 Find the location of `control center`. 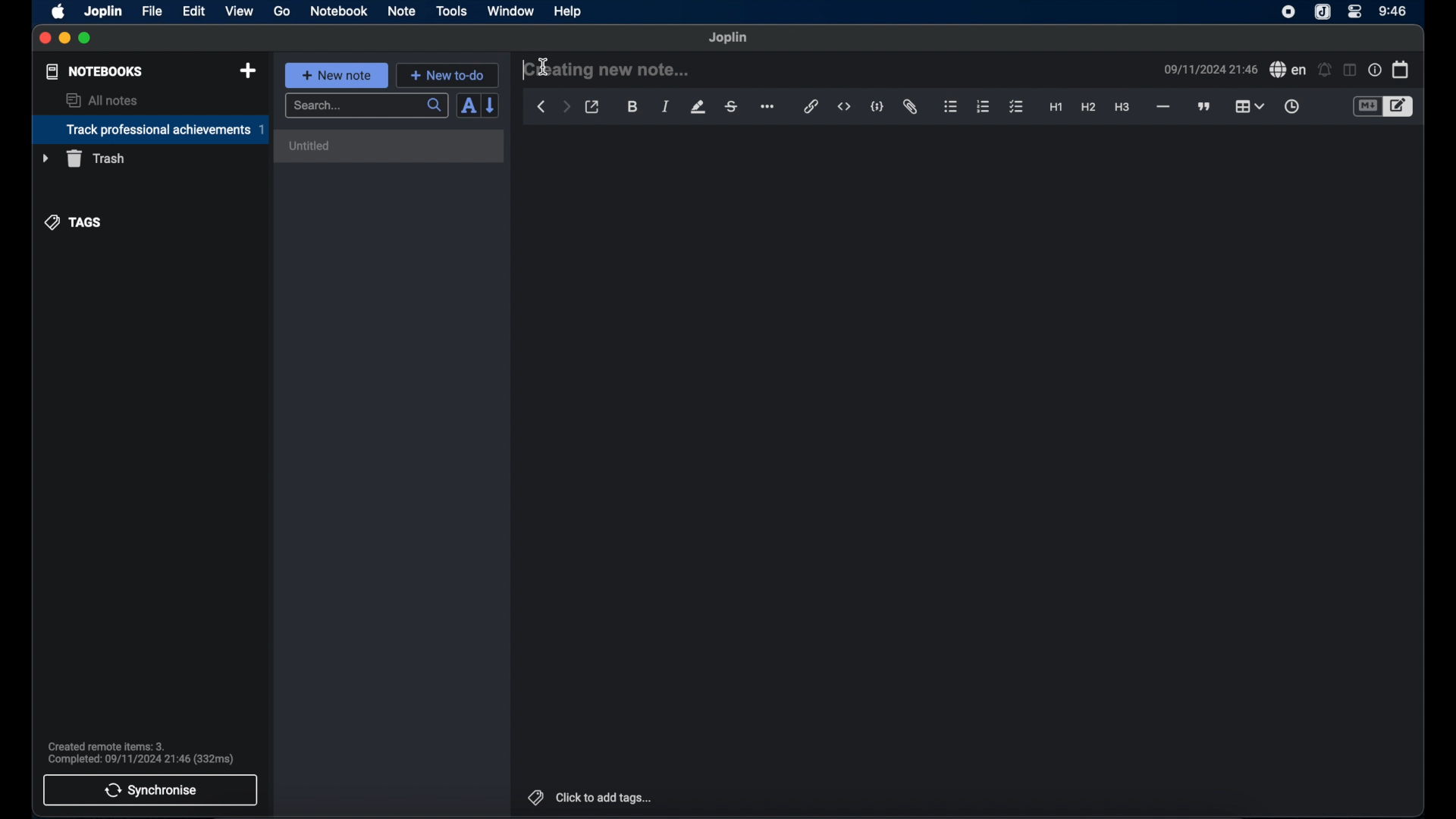

control center is located at coordinates (1355, 12).